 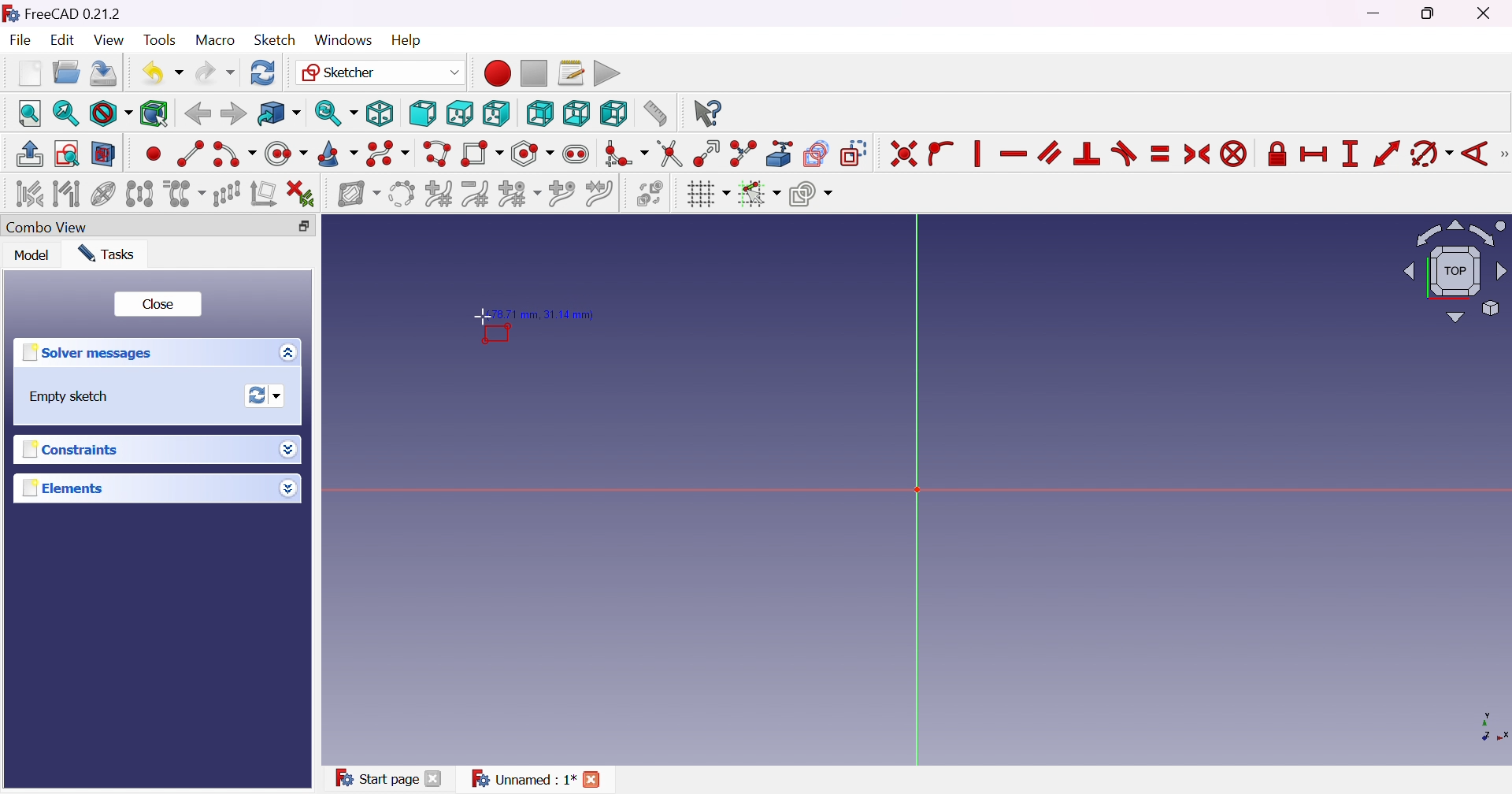 What do you see at coordinates (65, 72) in the screenshot?
I see `Open` at bounding box center [65, 72].